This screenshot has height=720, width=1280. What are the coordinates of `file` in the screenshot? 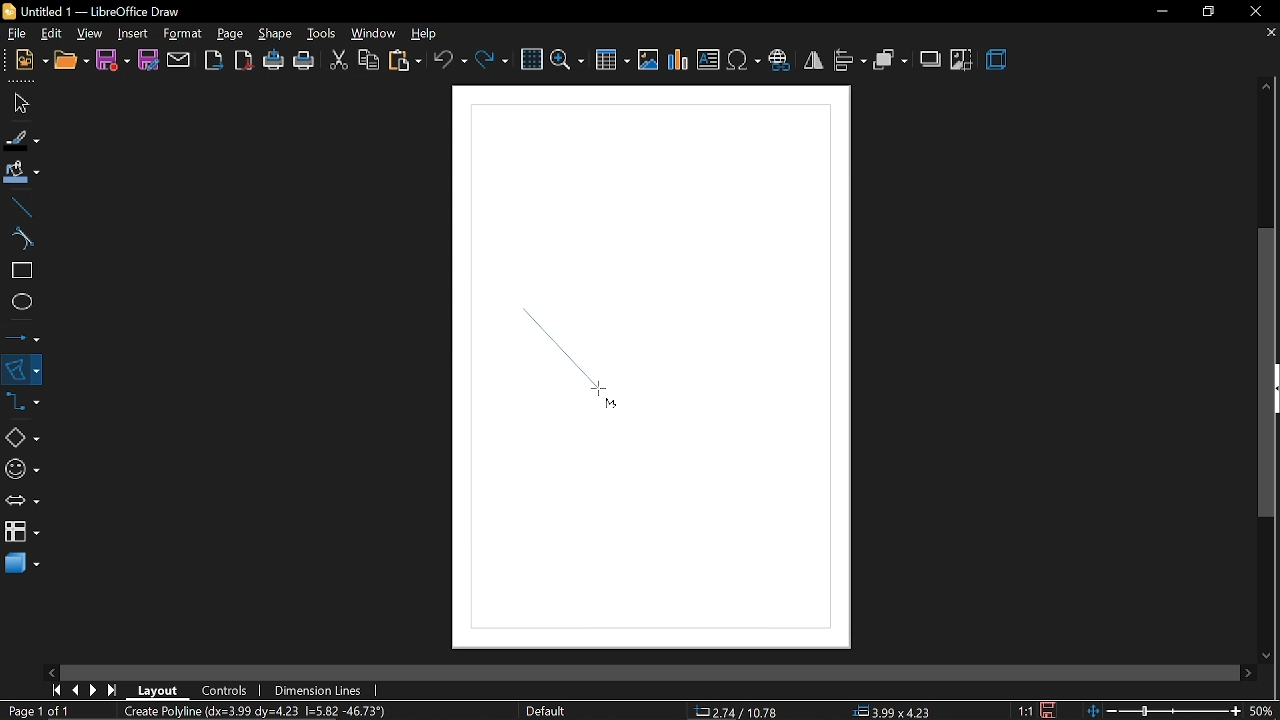 It's located at (17, 34).